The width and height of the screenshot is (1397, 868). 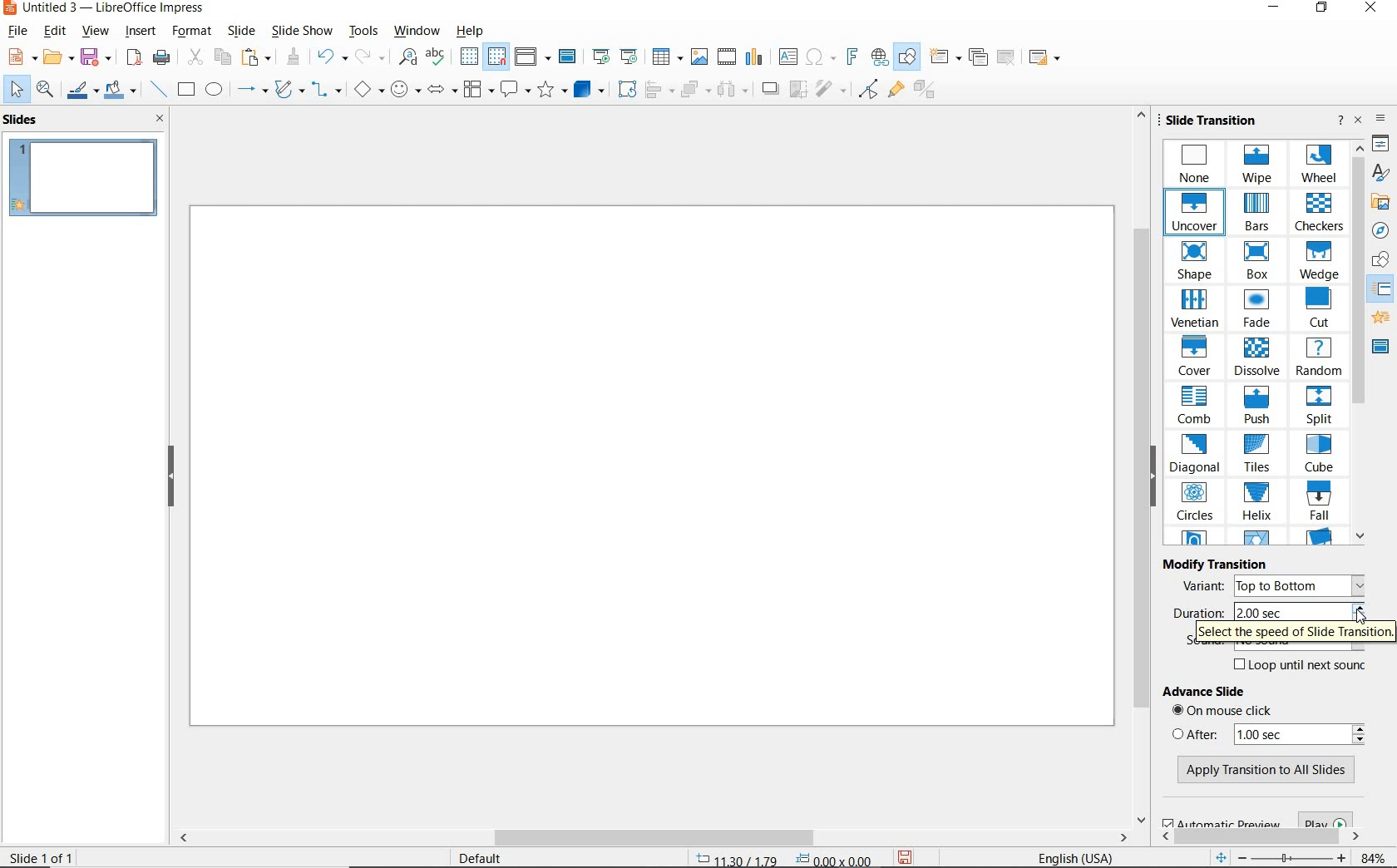 I want to click on SPLIT, so click(x=1318, y=406).